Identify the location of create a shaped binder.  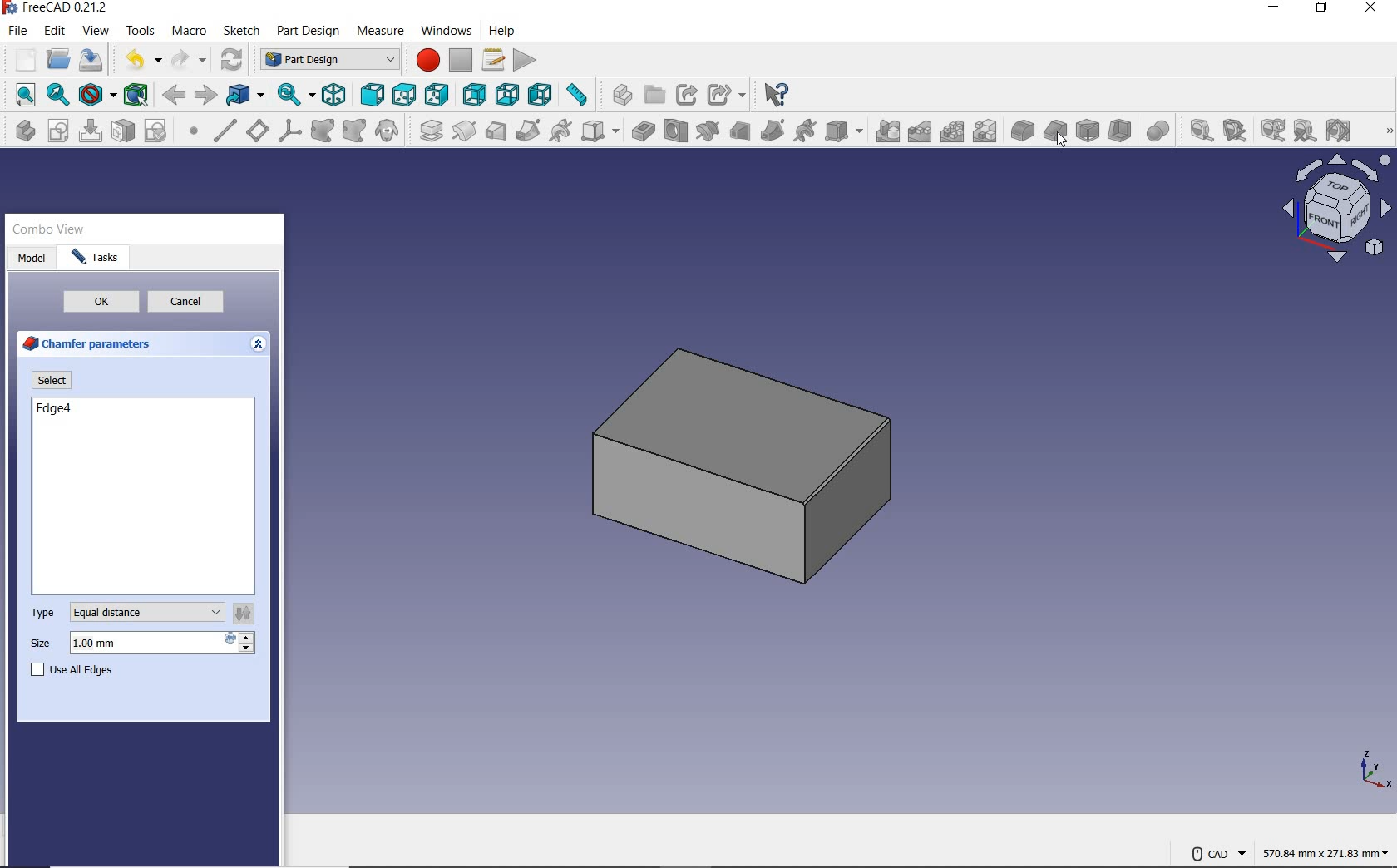
(324, 131).